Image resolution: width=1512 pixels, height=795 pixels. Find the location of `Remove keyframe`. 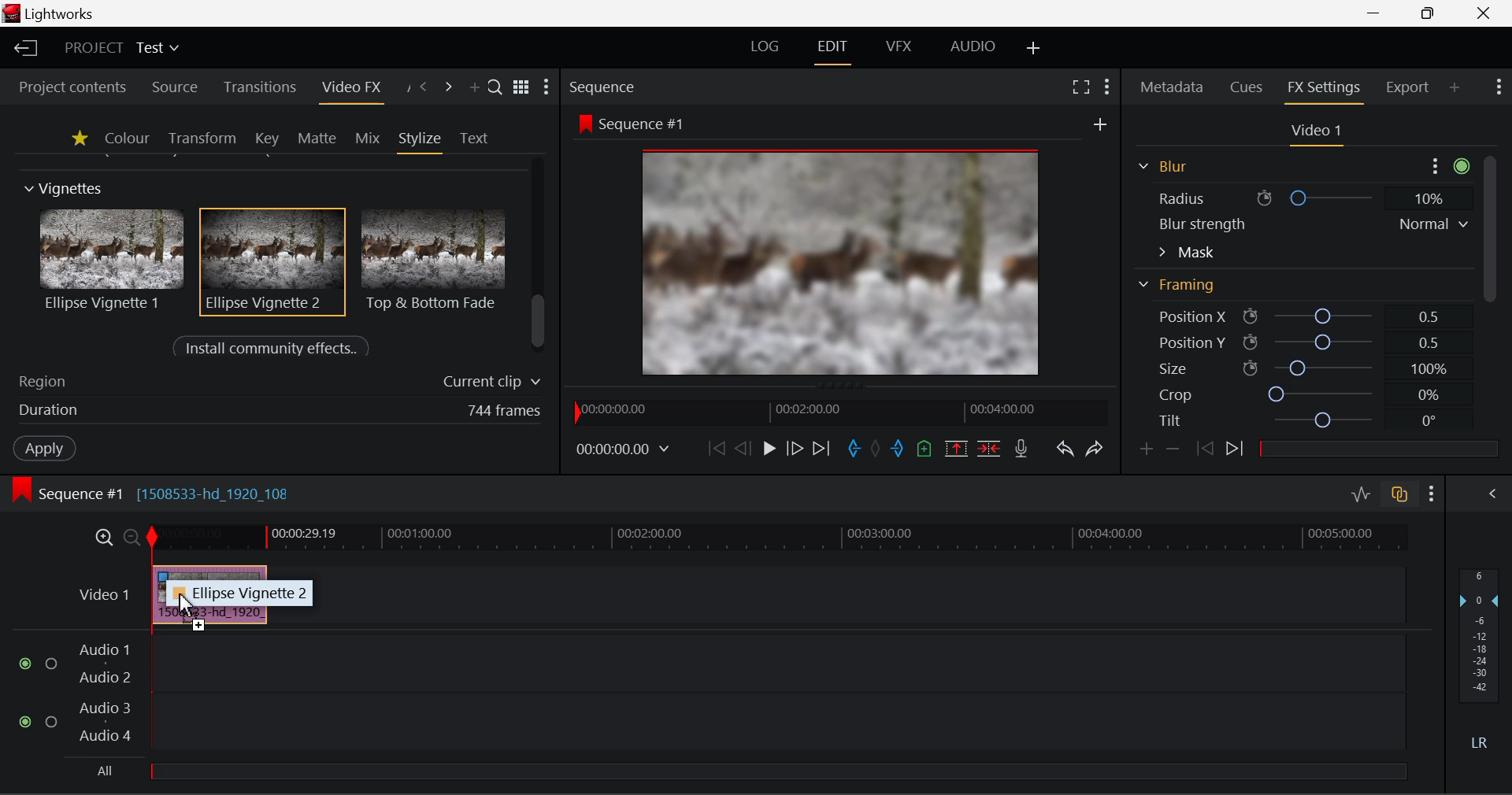

Remove keyframe is located at coordinates (1173, 448).